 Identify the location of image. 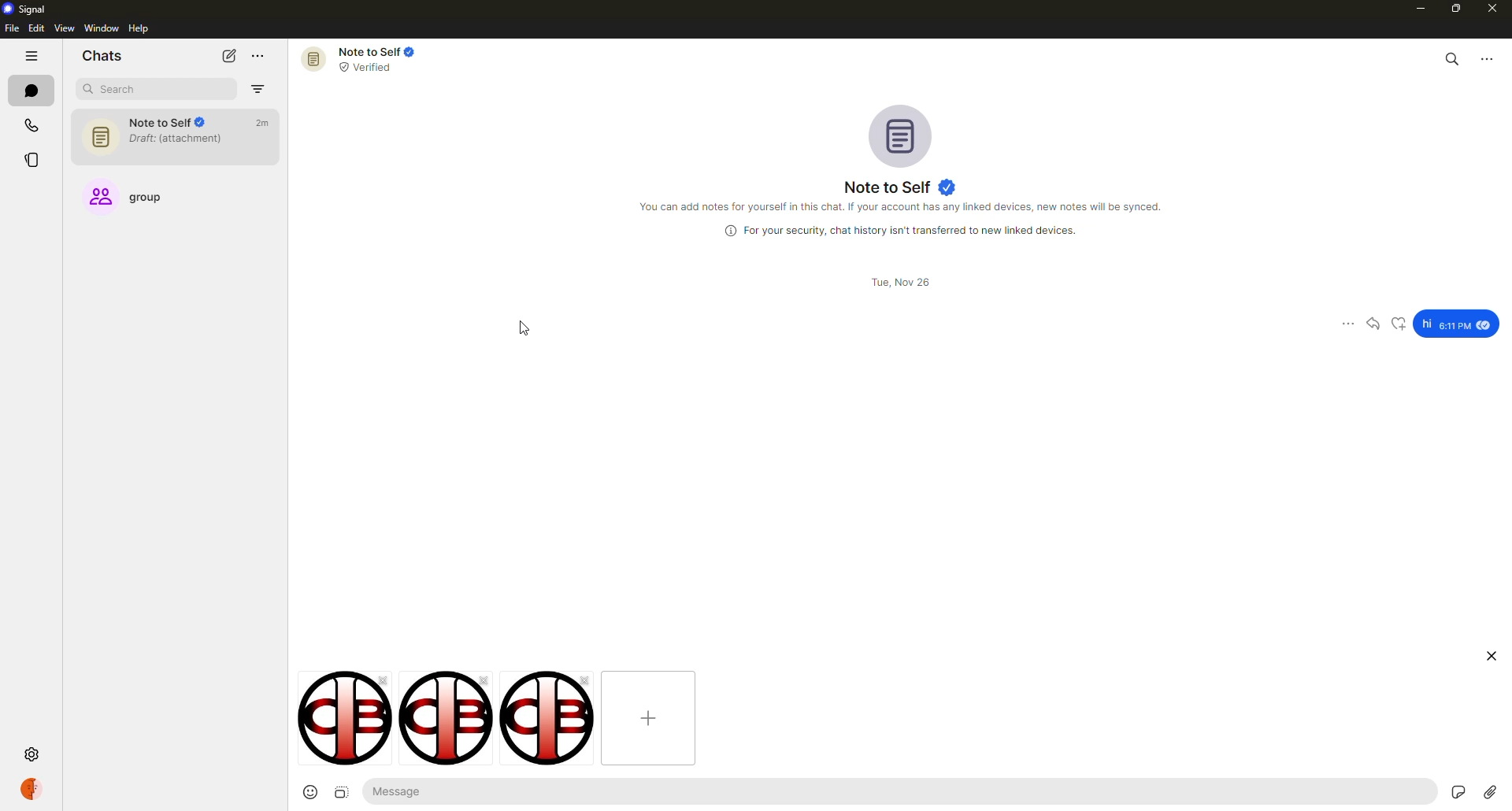
(341, 792).